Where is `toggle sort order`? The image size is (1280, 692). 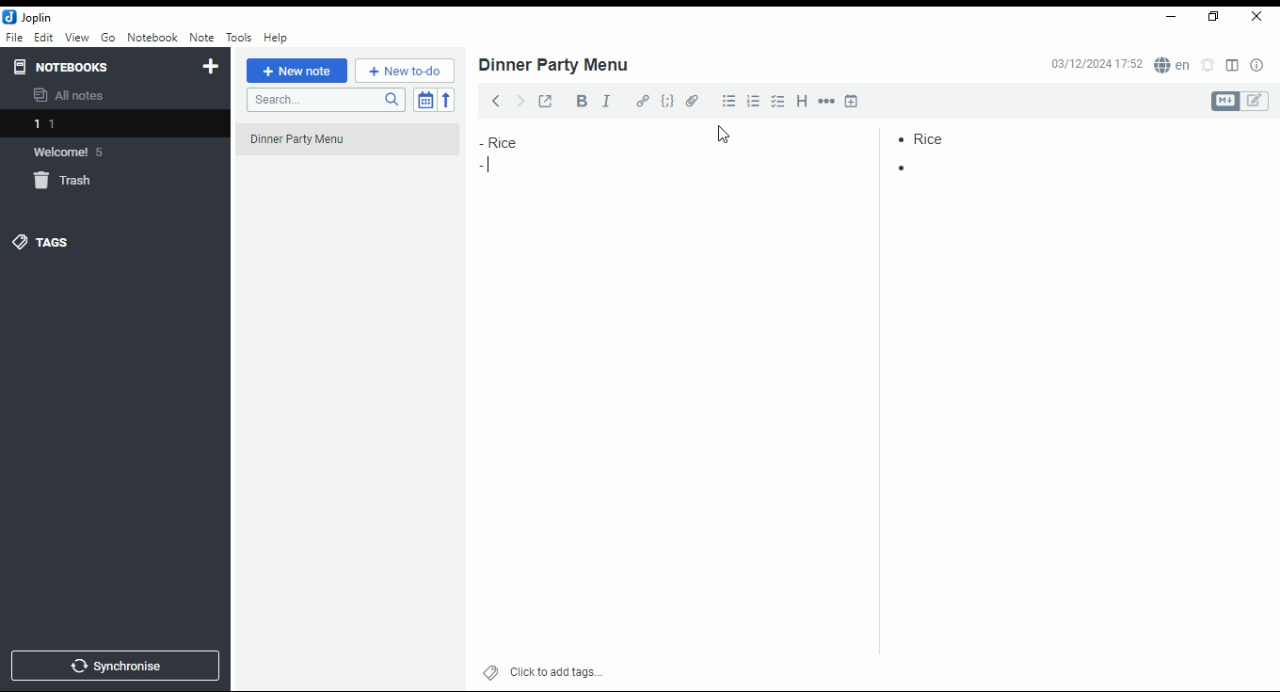 toggle sort order is located at coordinates (424, 99).